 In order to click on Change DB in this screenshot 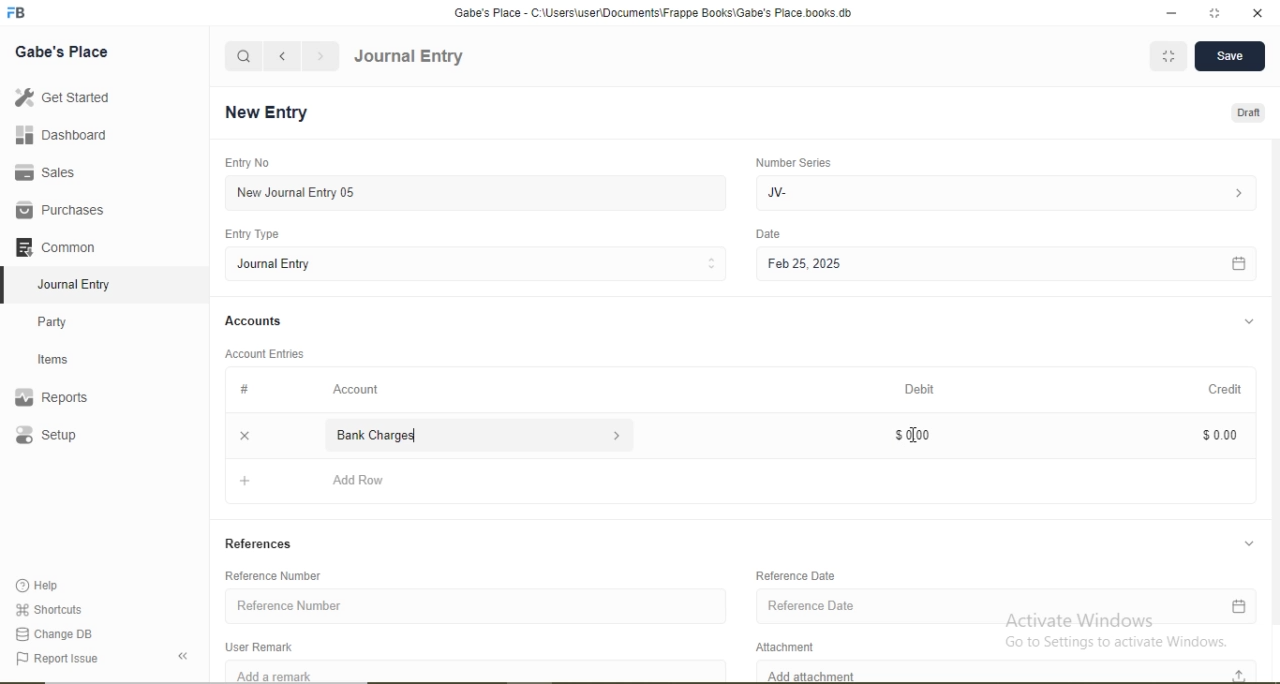, I will do `click(55, 633)`.